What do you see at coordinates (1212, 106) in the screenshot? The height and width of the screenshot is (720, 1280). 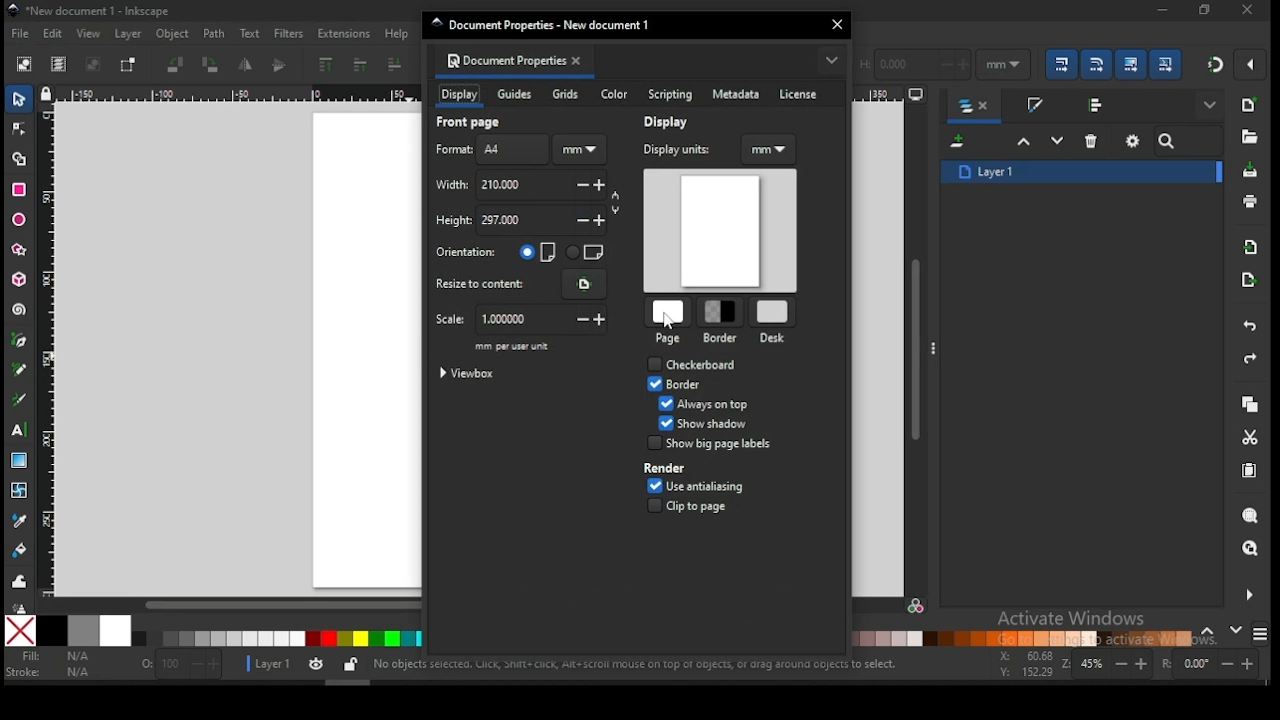 I see `show` at bounding box center [1212, 106].